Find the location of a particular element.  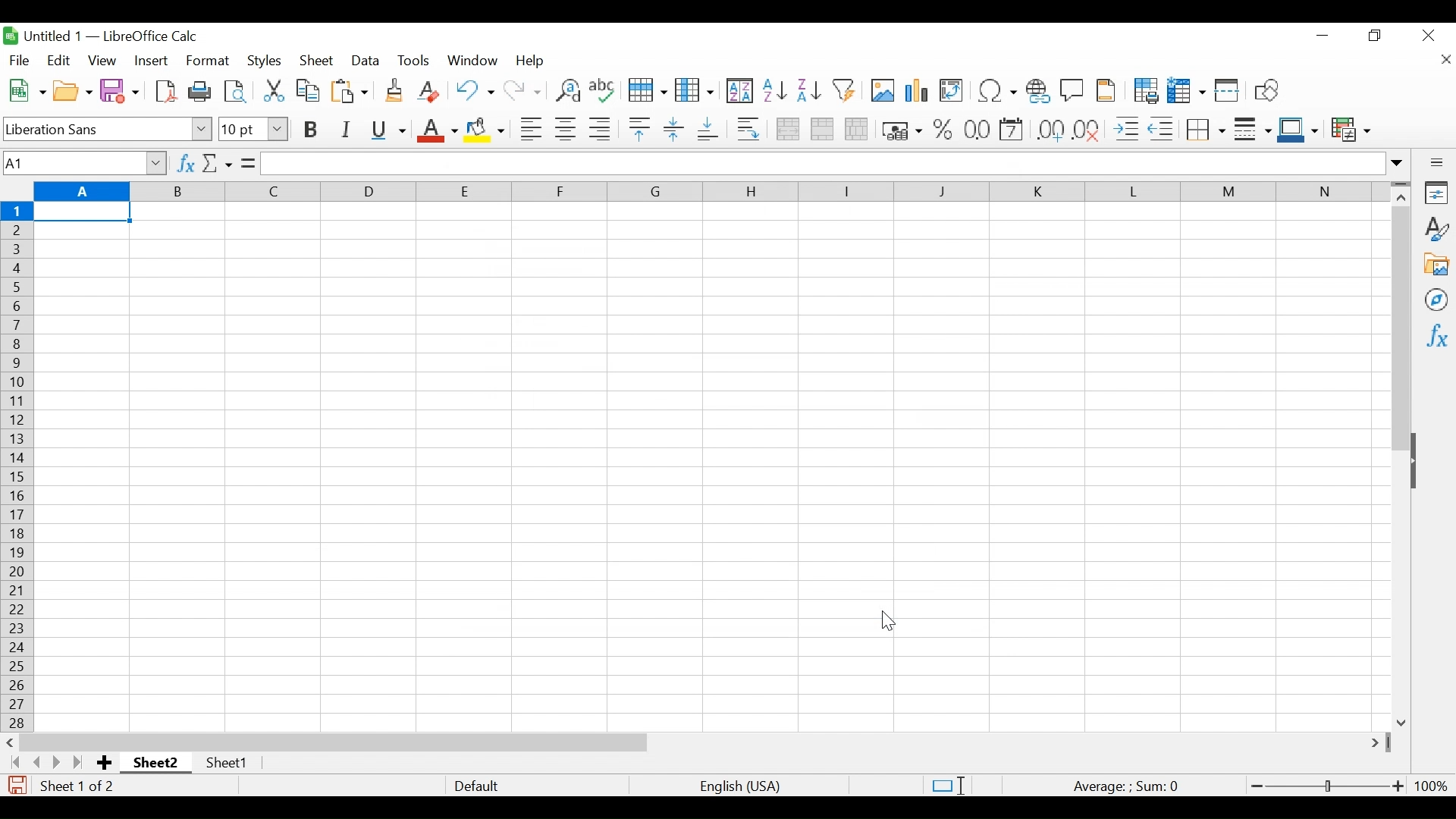

Font Name is located at coordinates (108, 128).